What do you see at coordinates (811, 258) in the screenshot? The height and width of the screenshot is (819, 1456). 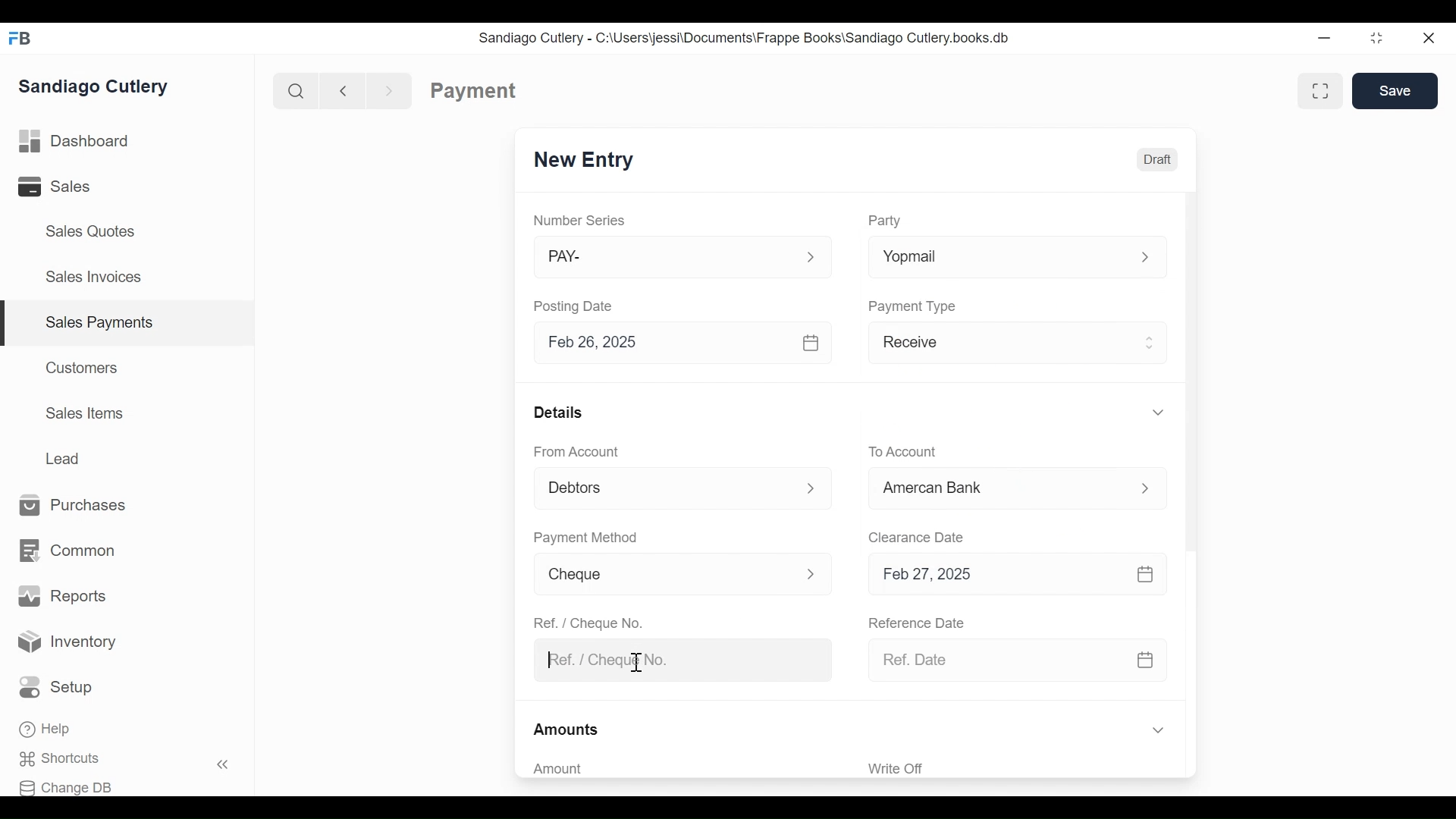 I see `Expand` at bounding box center [811, 258].